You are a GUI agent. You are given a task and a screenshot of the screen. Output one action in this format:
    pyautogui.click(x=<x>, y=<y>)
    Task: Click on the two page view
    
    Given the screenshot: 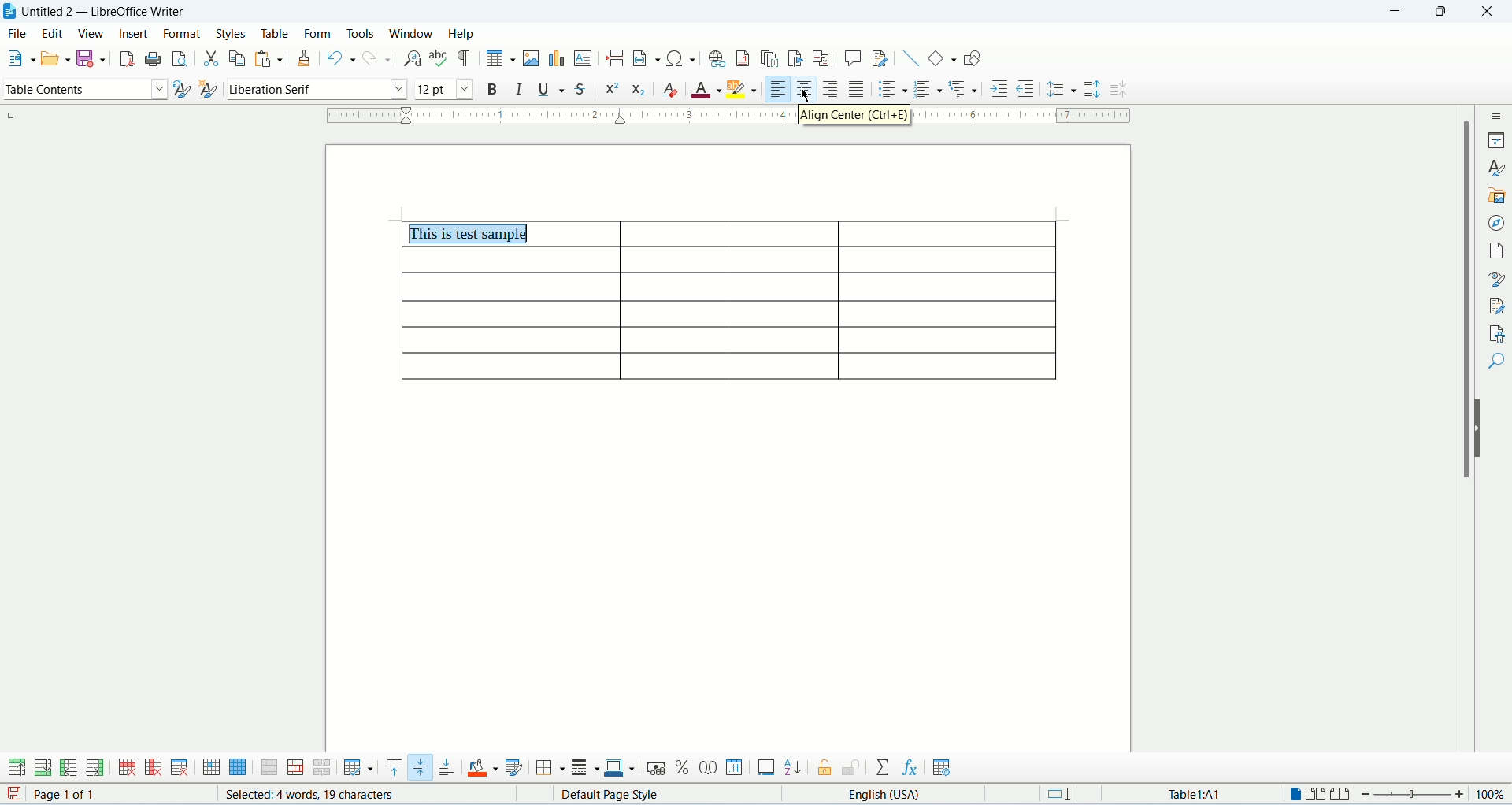 What is the action you would take?
    pyautogui.click(x=1316, y=795)
    